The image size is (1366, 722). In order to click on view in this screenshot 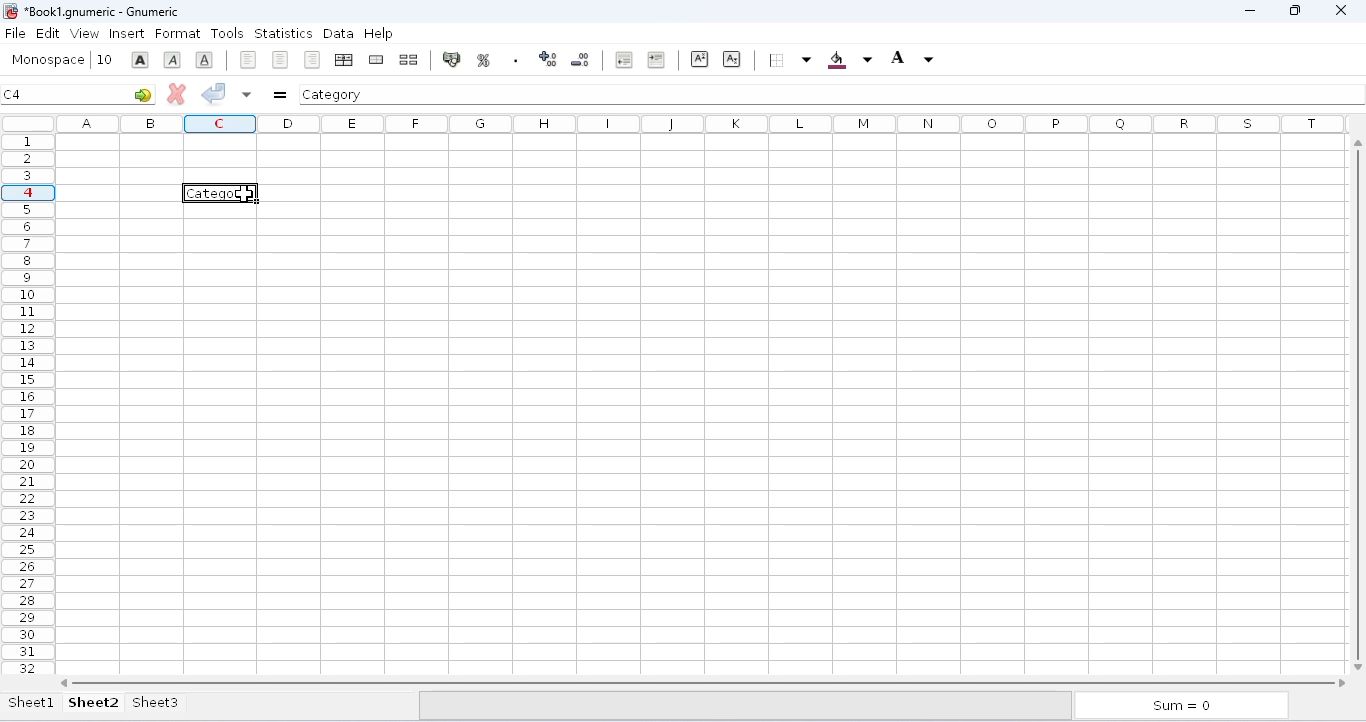, I will do `click(85, 33)`.